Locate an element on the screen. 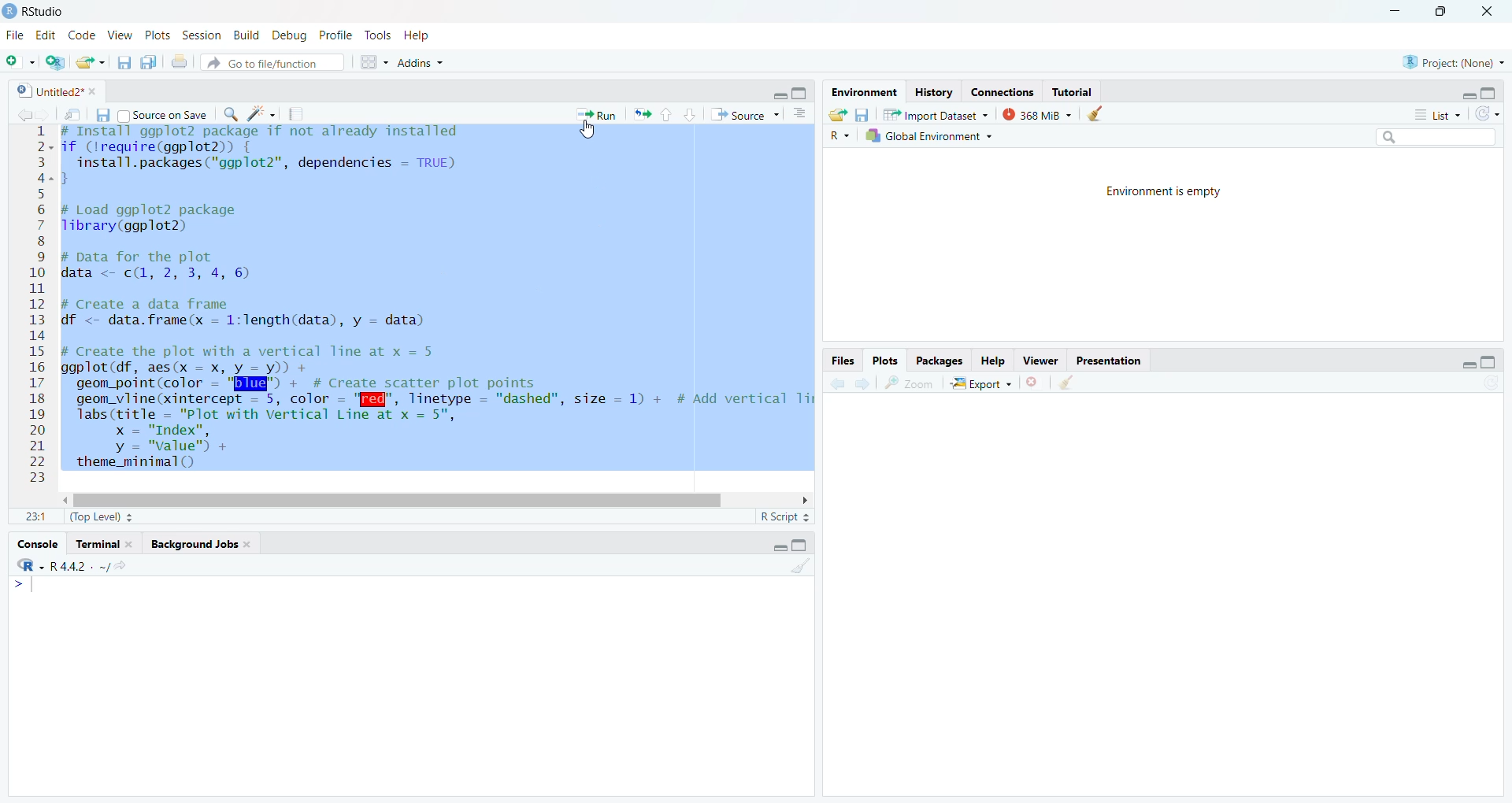 Image resolution: width=1512 pixels, height=803 pixels. R ~ is located at coordinates (840, 136).